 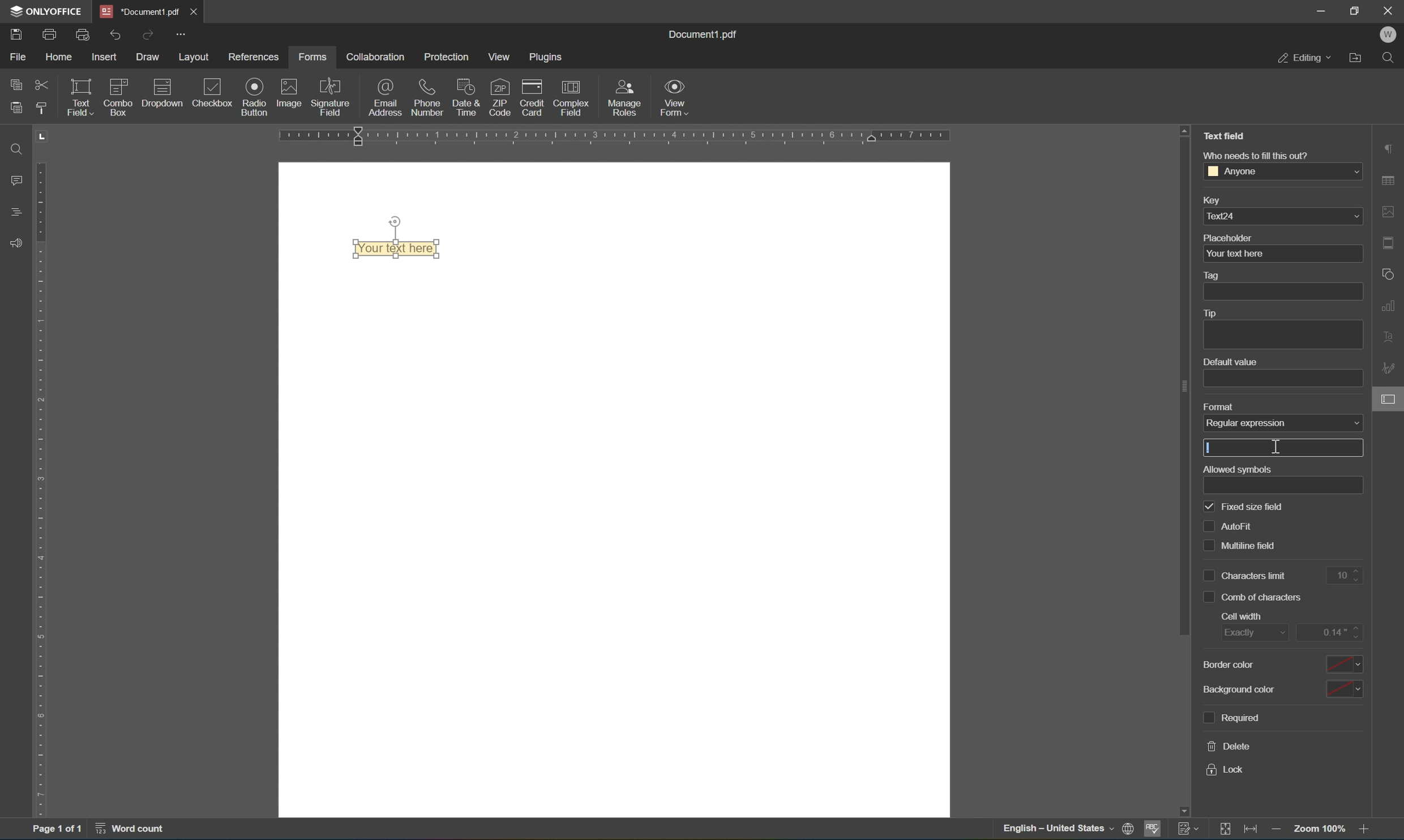 I want to click on home, so click(x=58, y=59).